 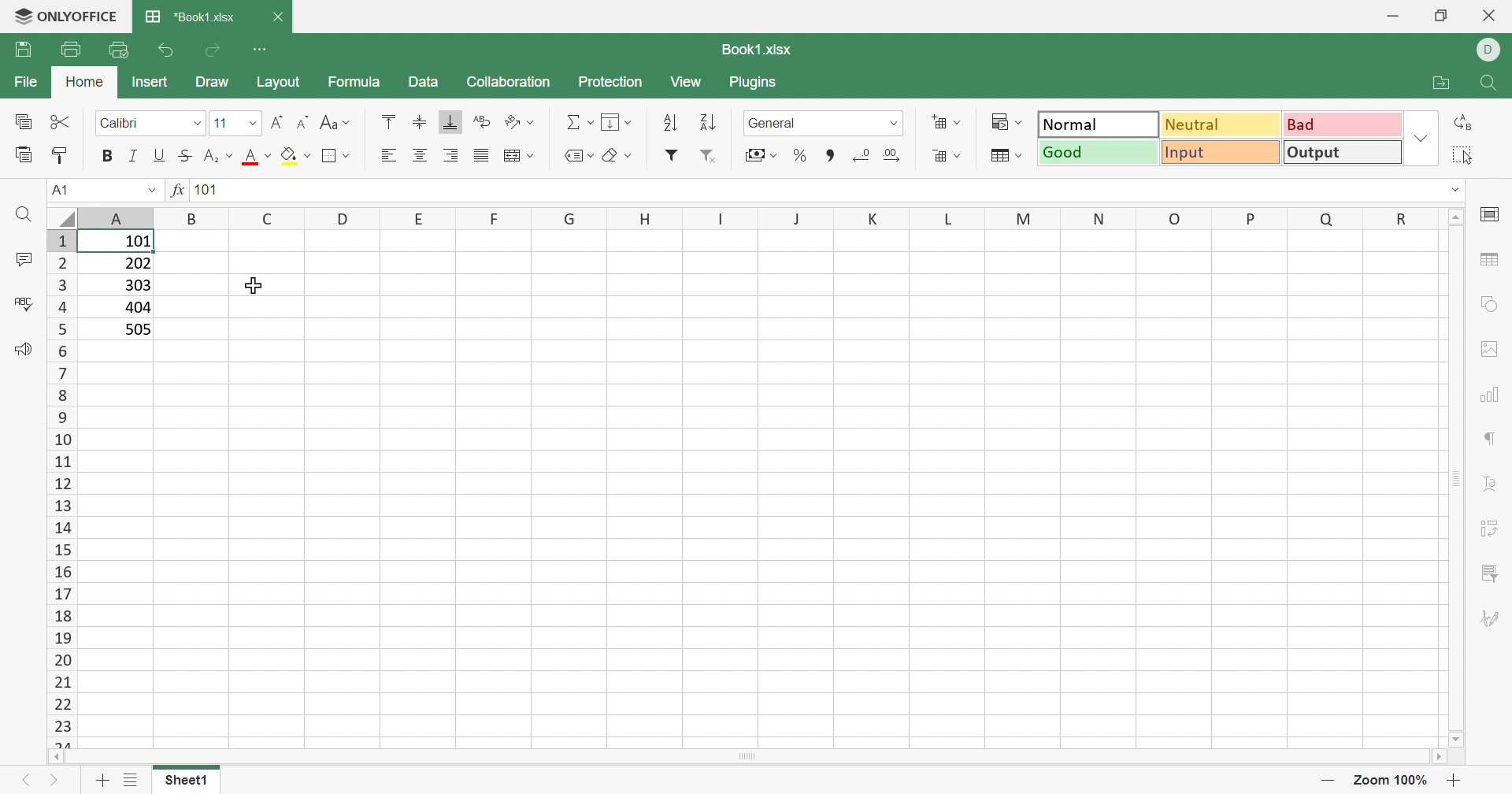 I want to click on Decrease decimals, so click(x=865, y=155).